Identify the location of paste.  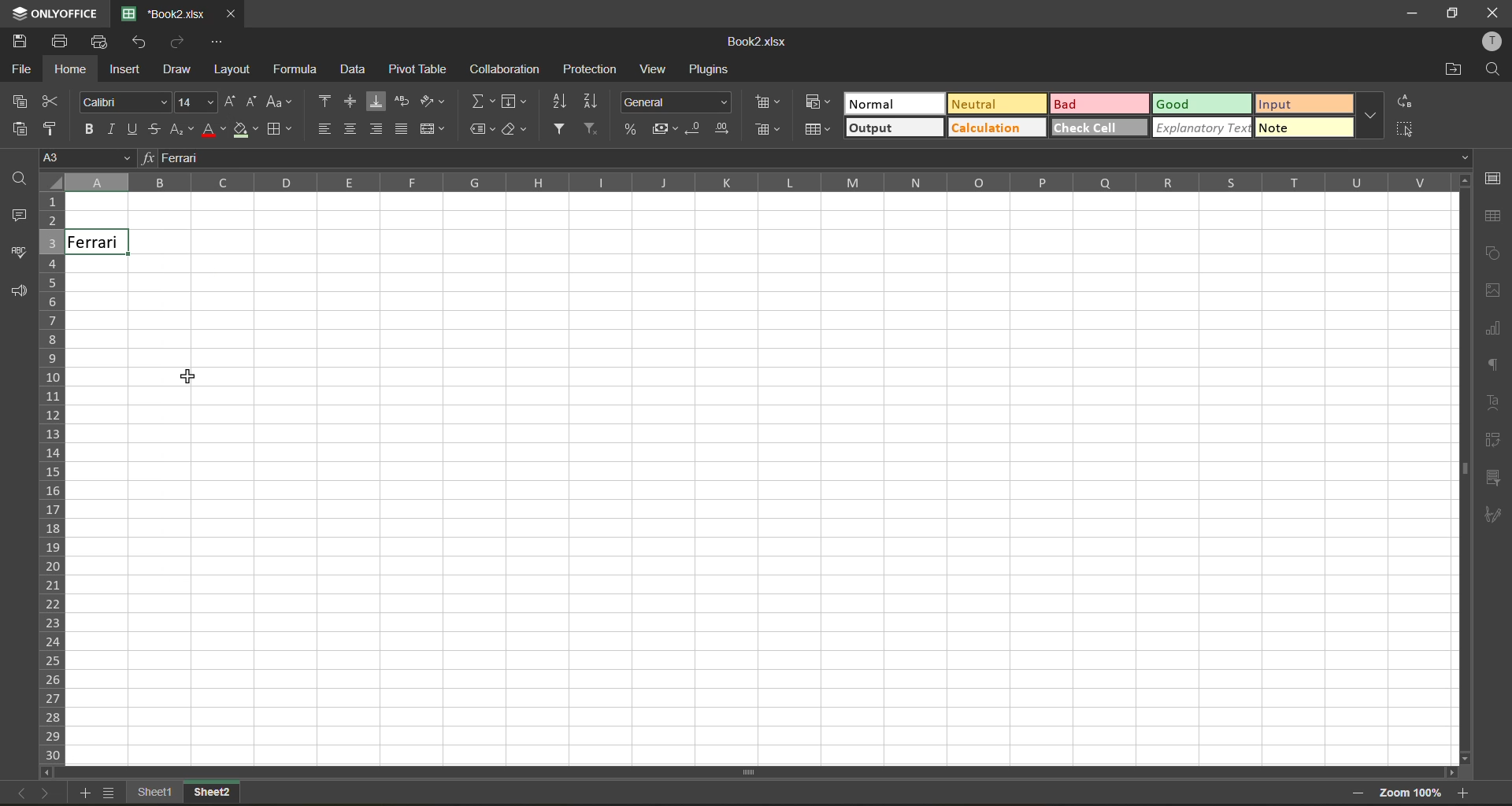
(17, 127).